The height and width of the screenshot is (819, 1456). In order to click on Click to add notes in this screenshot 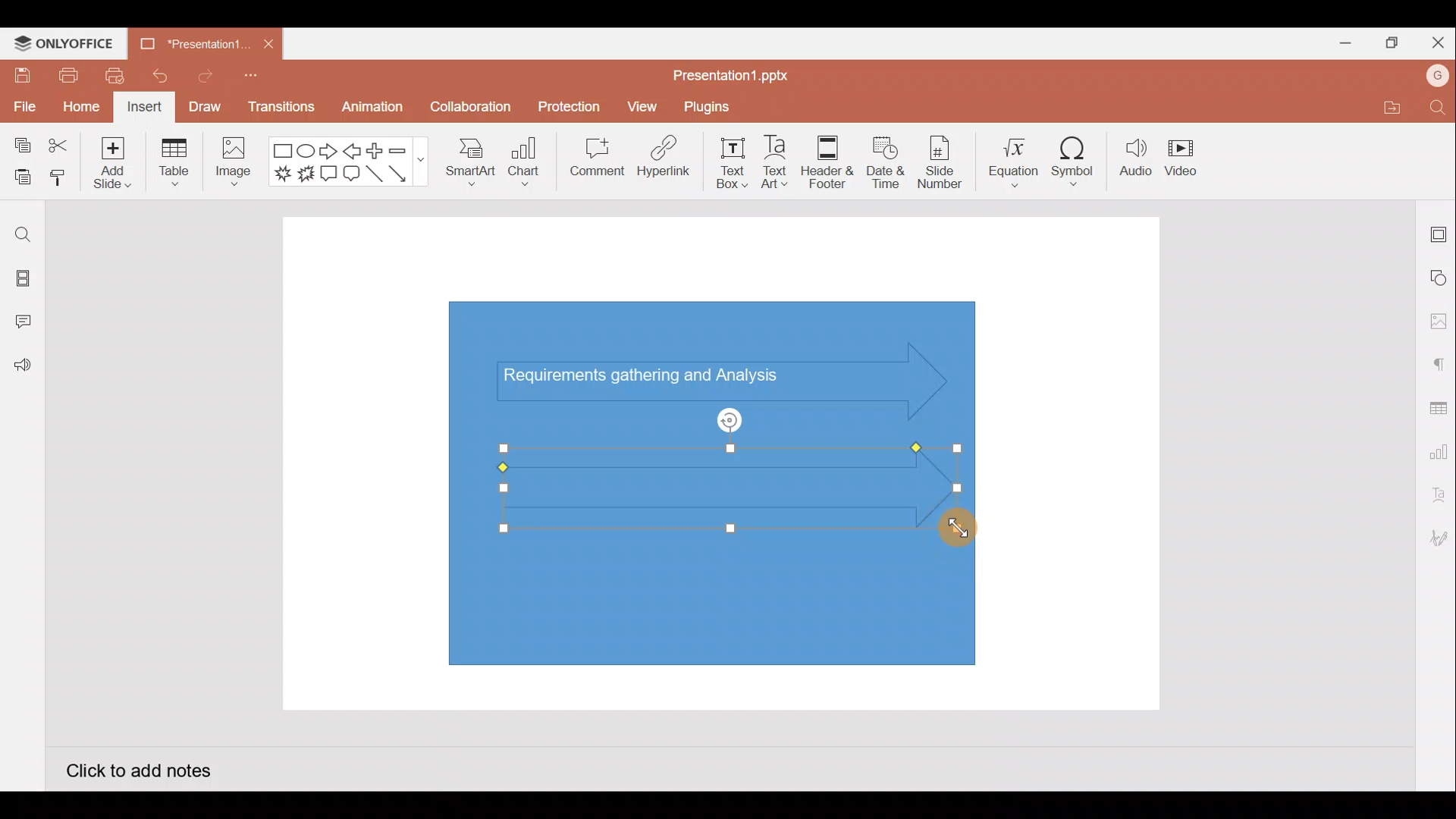, I will do `click(138, 769)`.